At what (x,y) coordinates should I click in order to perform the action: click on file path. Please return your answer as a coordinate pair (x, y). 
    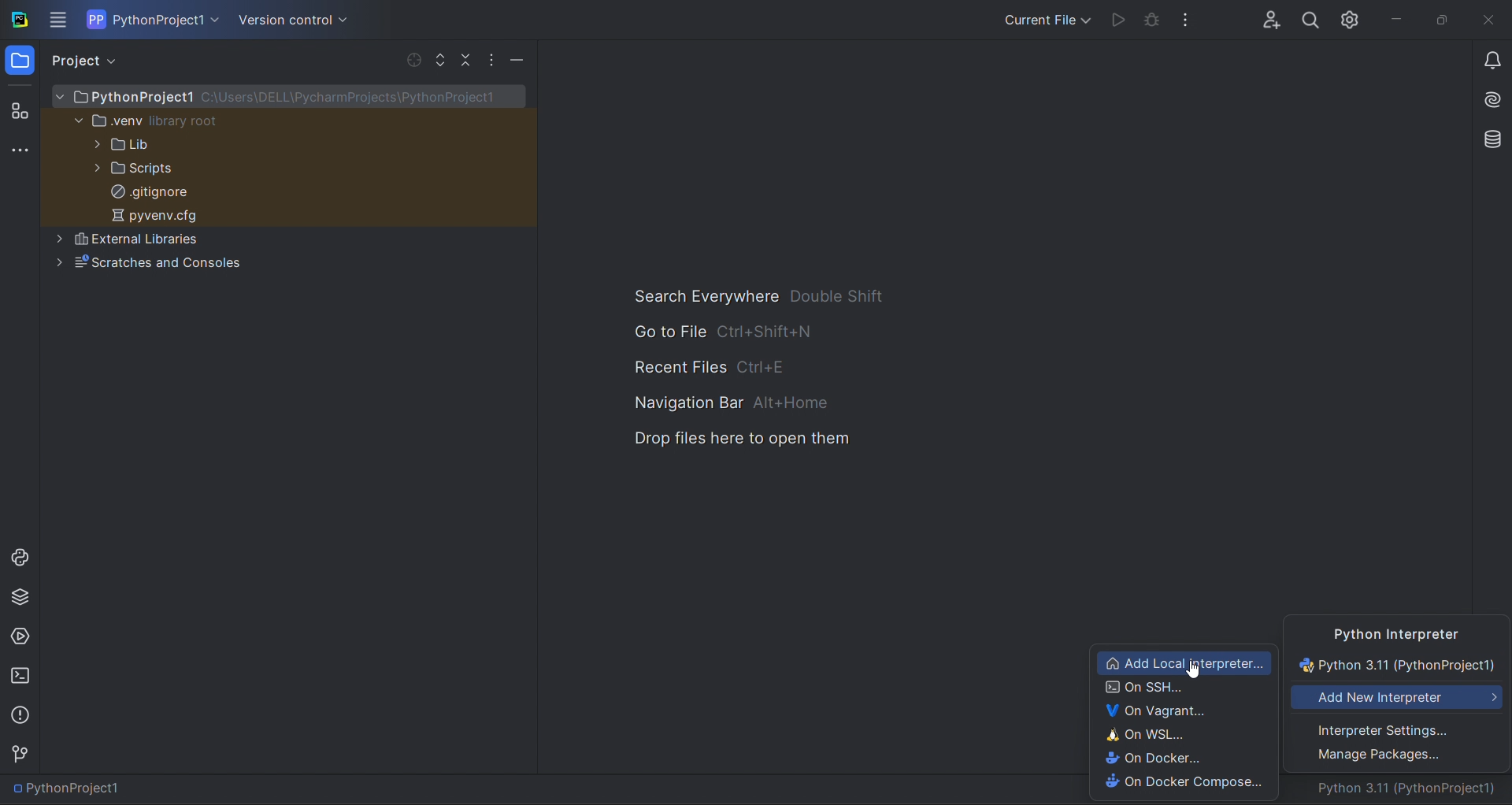
    Looking at the image, I should click on (72, 789).